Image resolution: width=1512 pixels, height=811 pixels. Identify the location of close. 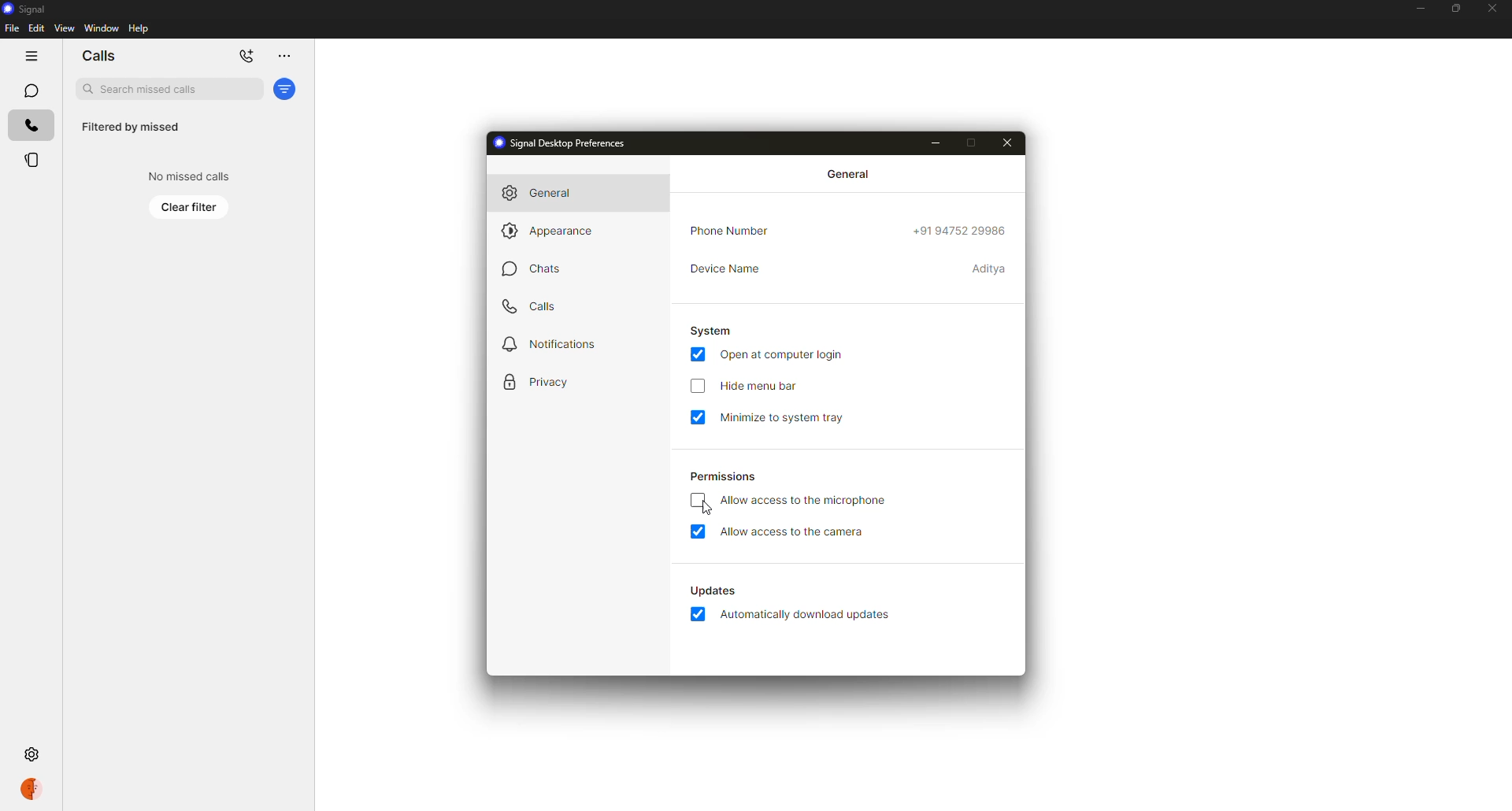
(1007, 144).